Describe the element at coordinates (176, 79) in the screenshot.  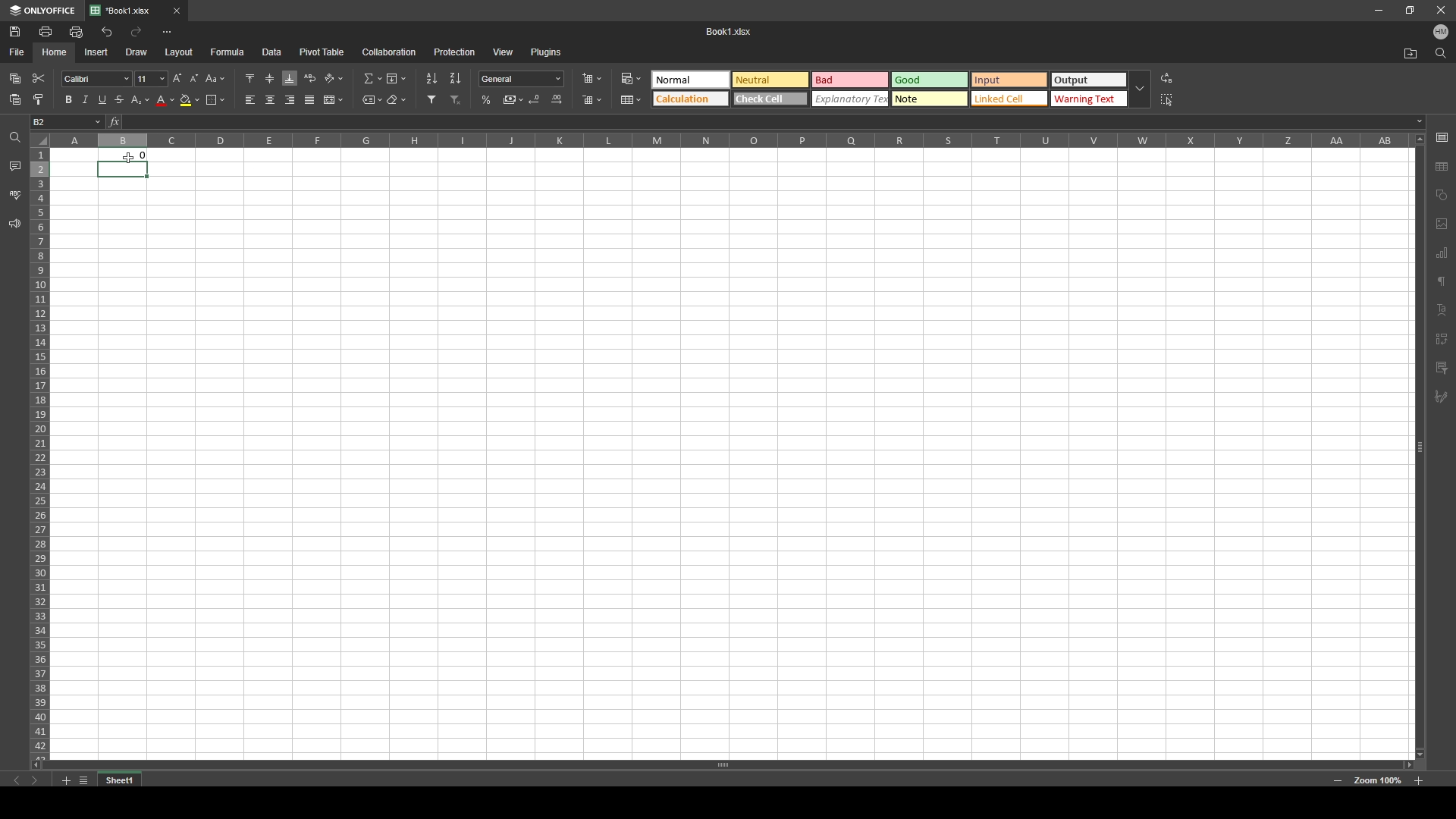
I see `increment font size` at that location.